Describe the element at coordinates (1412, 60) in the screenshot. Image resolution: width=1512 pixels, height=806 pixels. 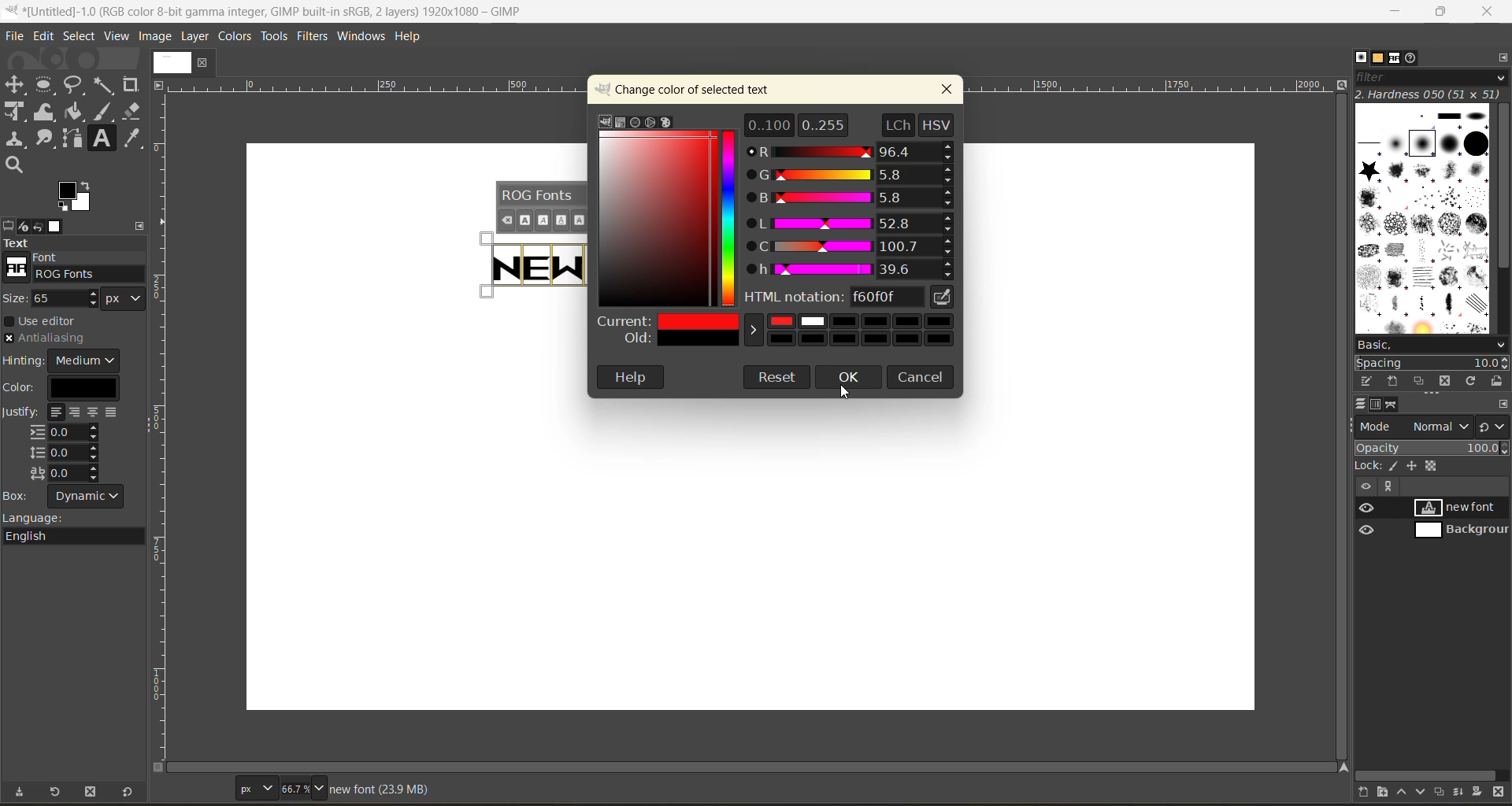
I see `document history` at that location.